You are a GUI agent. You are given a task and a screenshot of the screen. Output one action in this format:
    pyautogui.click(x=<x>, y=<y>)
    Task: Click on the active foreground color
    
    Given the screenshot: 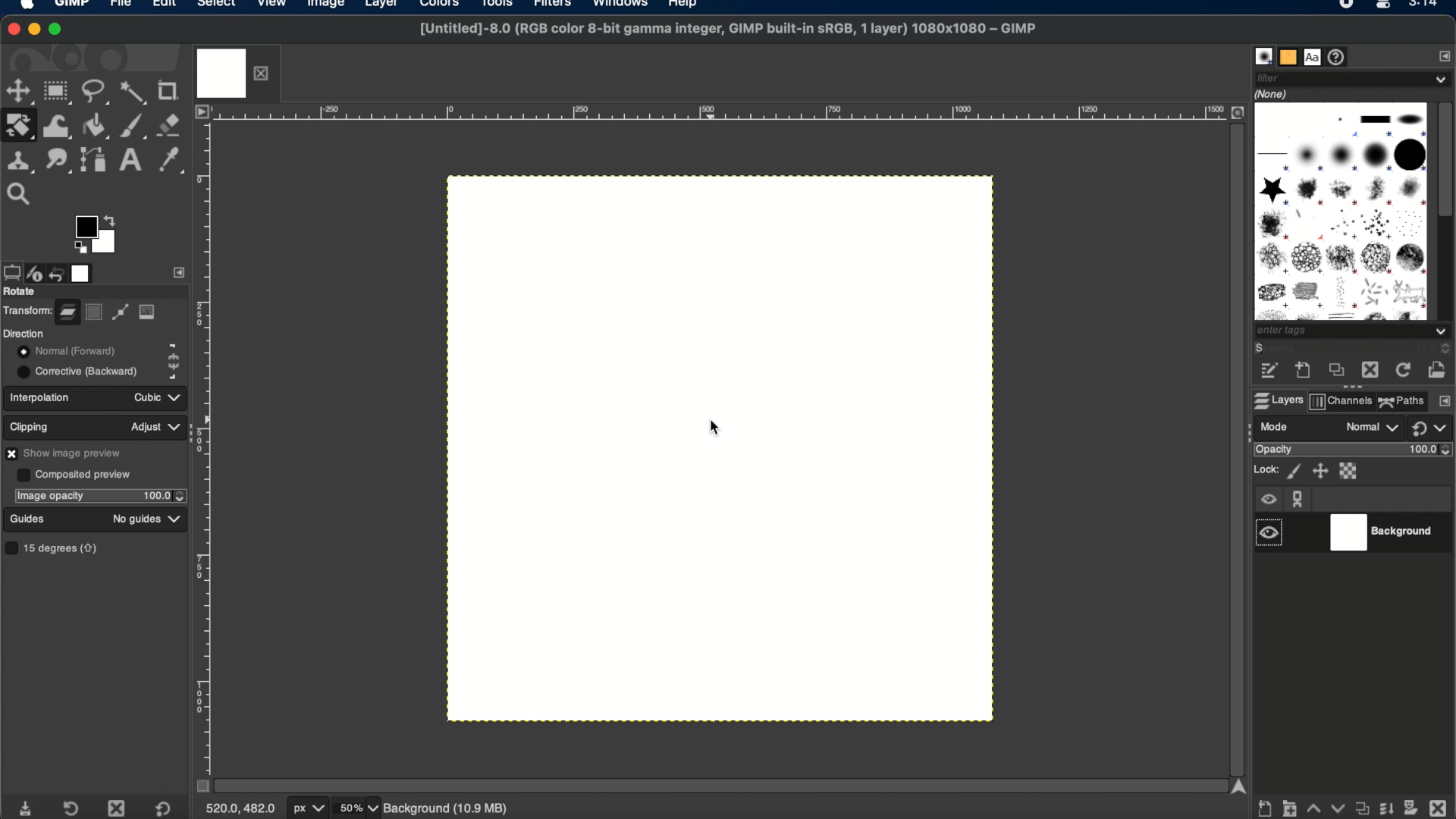 What is the action you would take?
    pyautogui.click(x=84, y=227)
    